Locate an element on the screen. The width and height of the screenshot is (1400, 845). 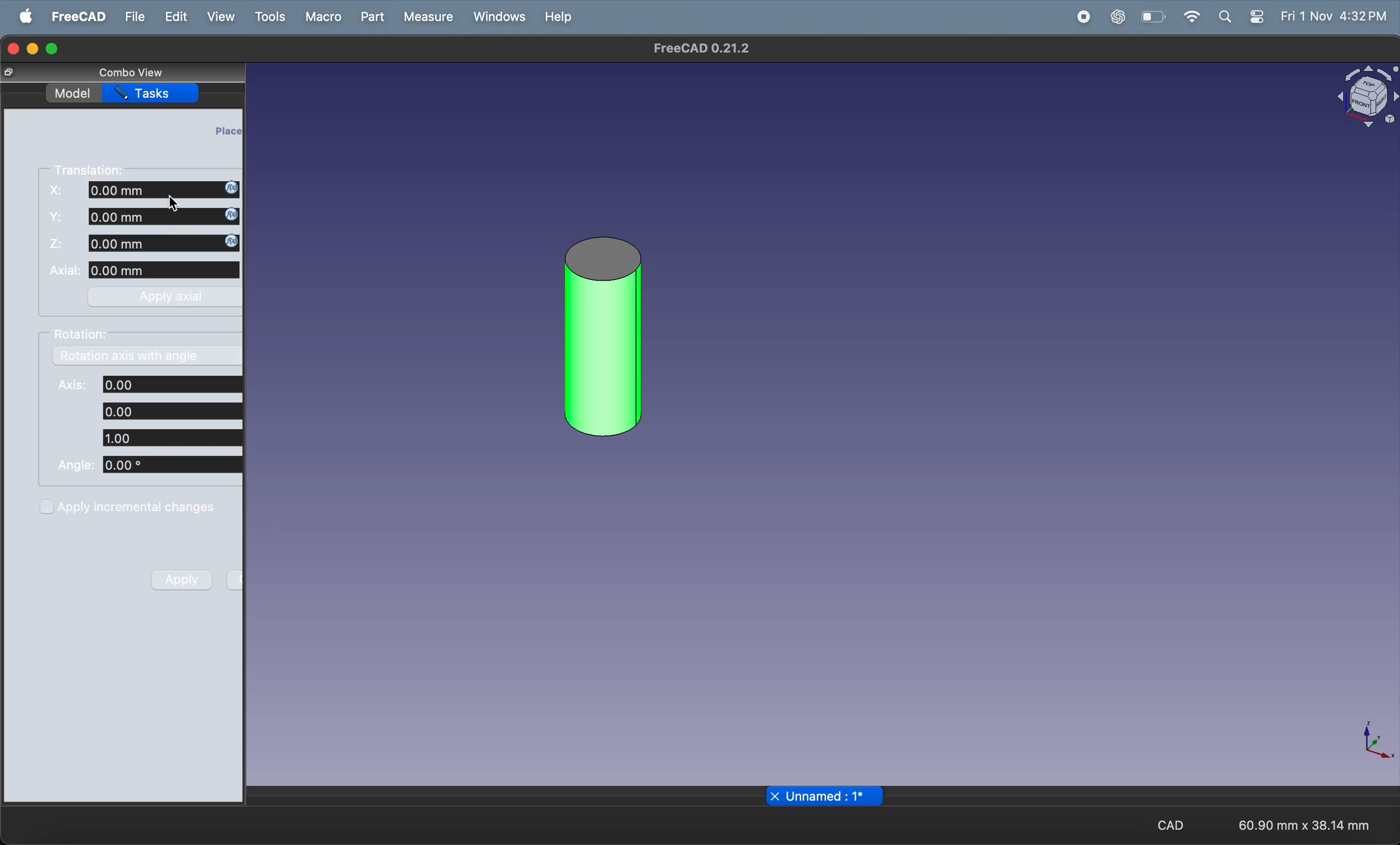
apply axial is located at coordinates (163, 299).